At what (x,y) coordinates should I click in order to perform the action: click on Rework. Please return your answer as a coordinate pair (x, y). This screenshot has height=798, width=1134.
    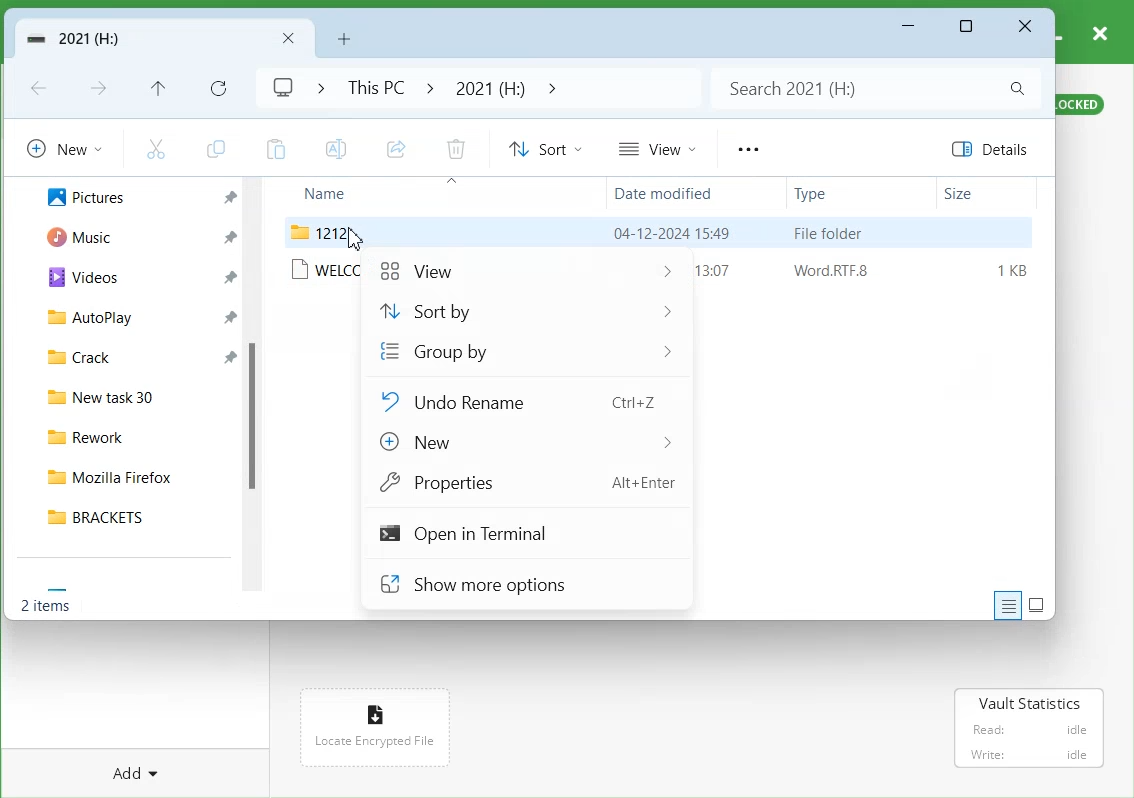
    Looking at the image, I should click on (136, 437).